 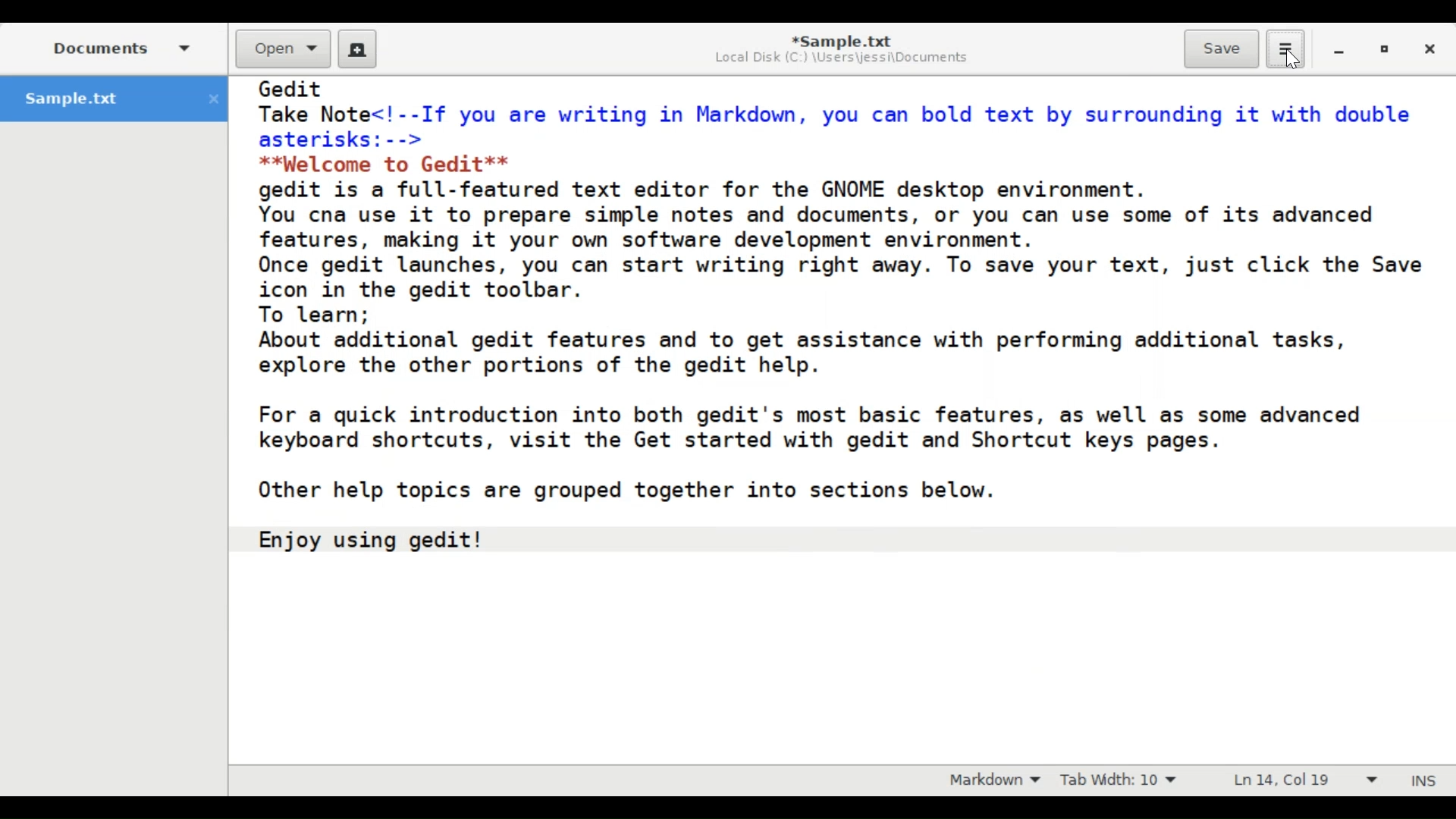 What do you see at coordinates (1382, 50) in the screenshot?
I see `restore` at bounding box center [1382, 50].